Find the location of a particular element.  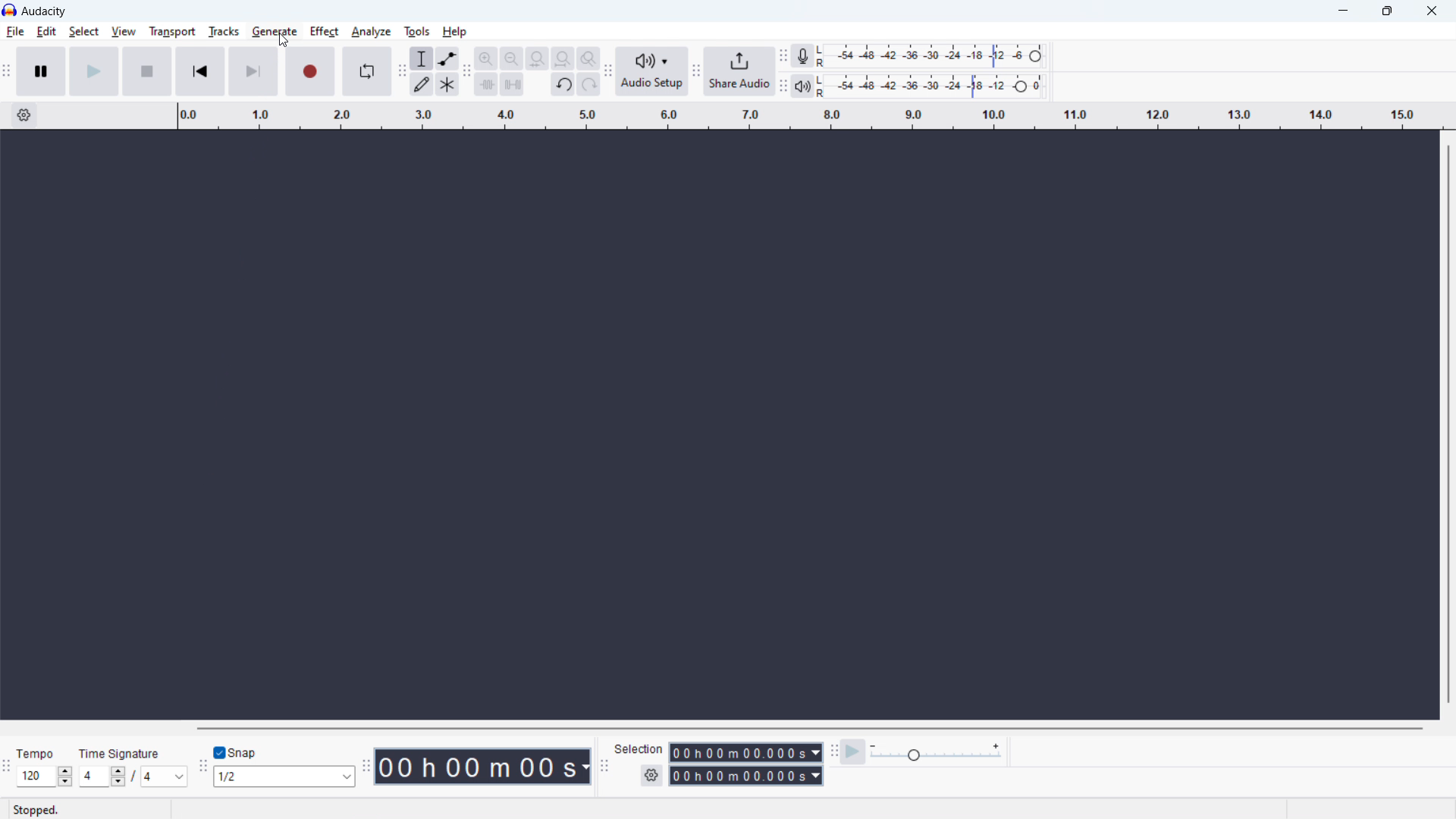

record is located at coordinates (309, 72).